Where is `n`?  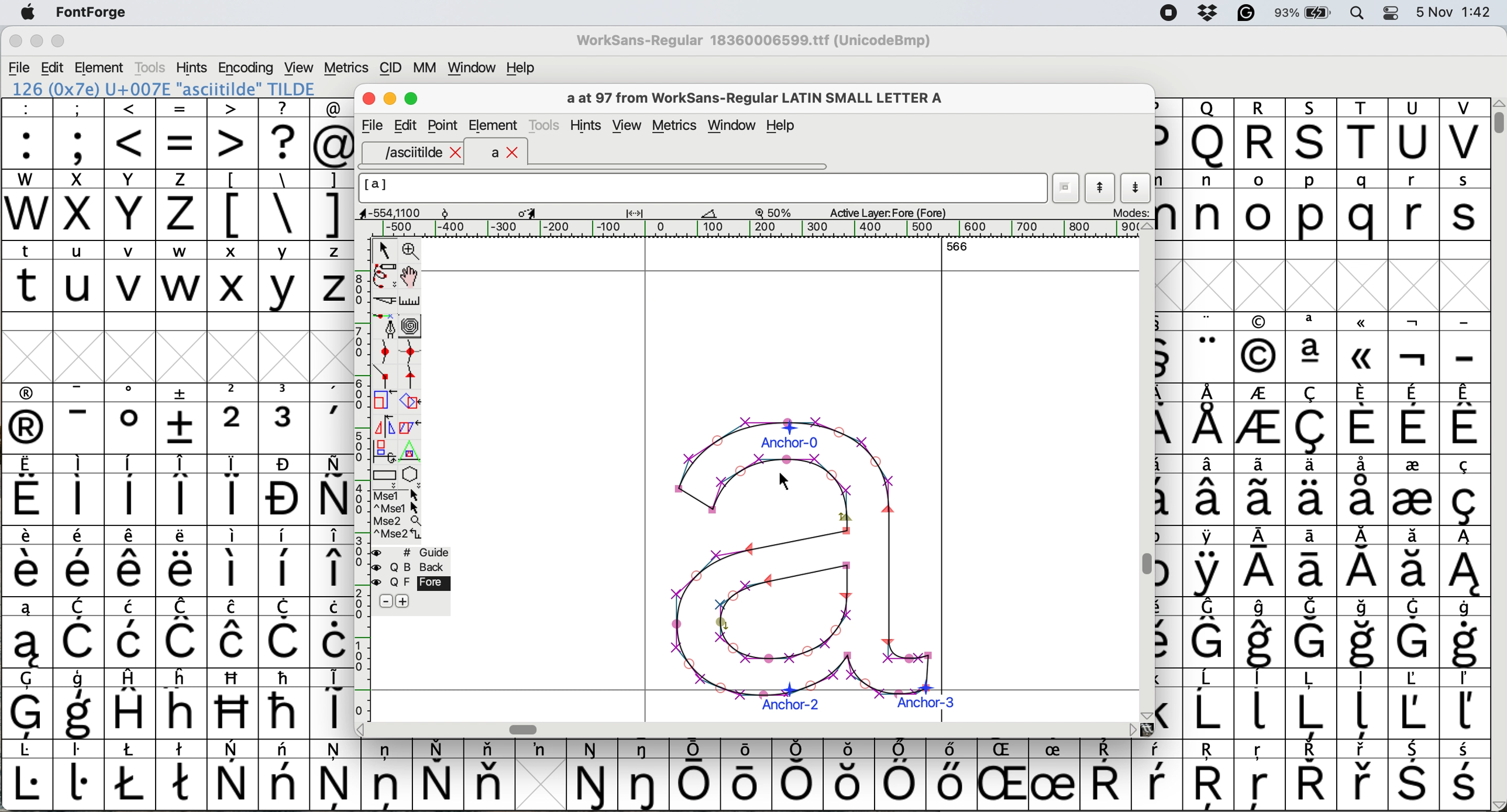
n is located at coordinates (1208, 204).